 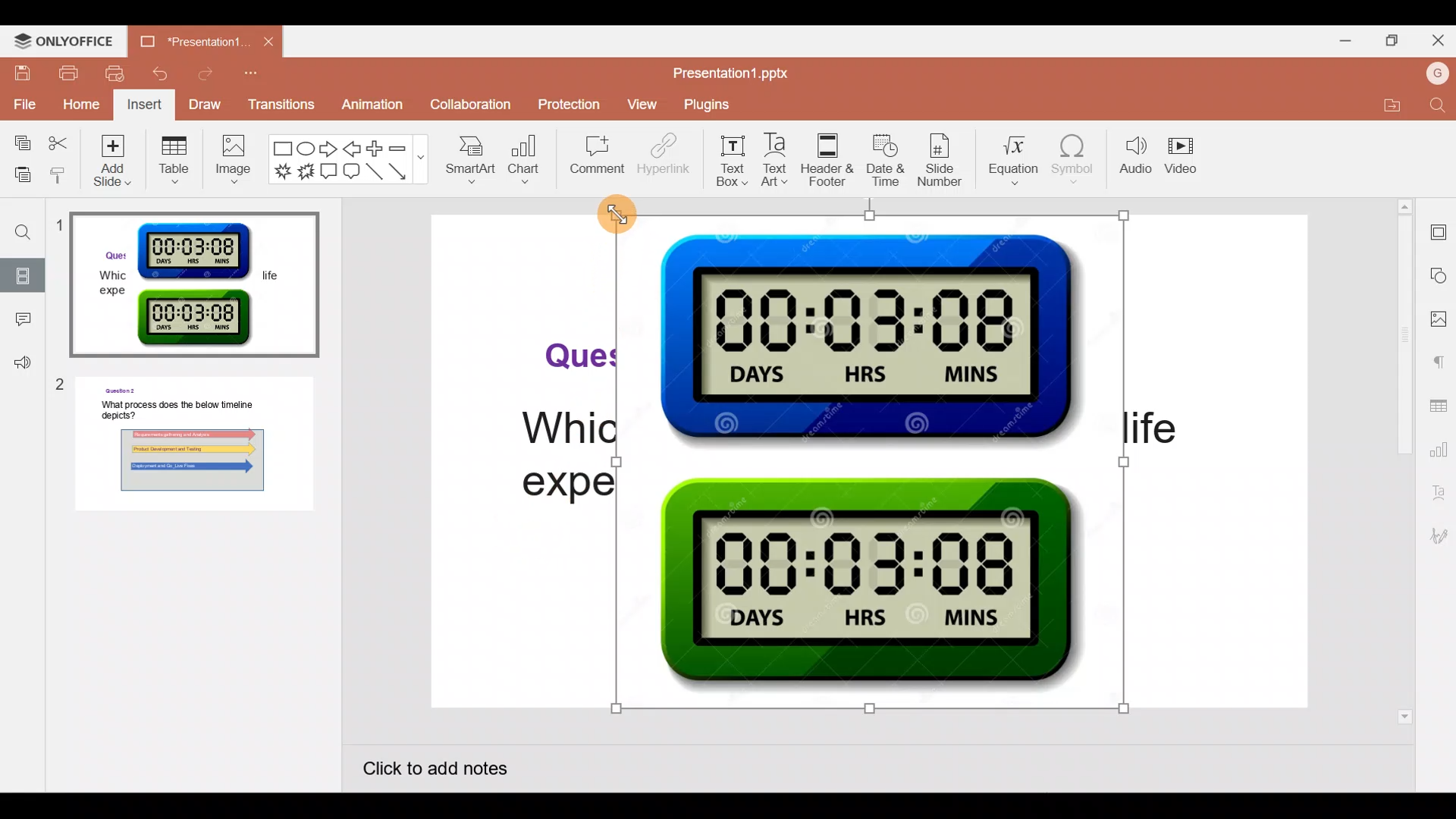 What do you see at coordinates (1434, 74) in the screenshot?
I see `Account name` at bounding box center [1434, 74].